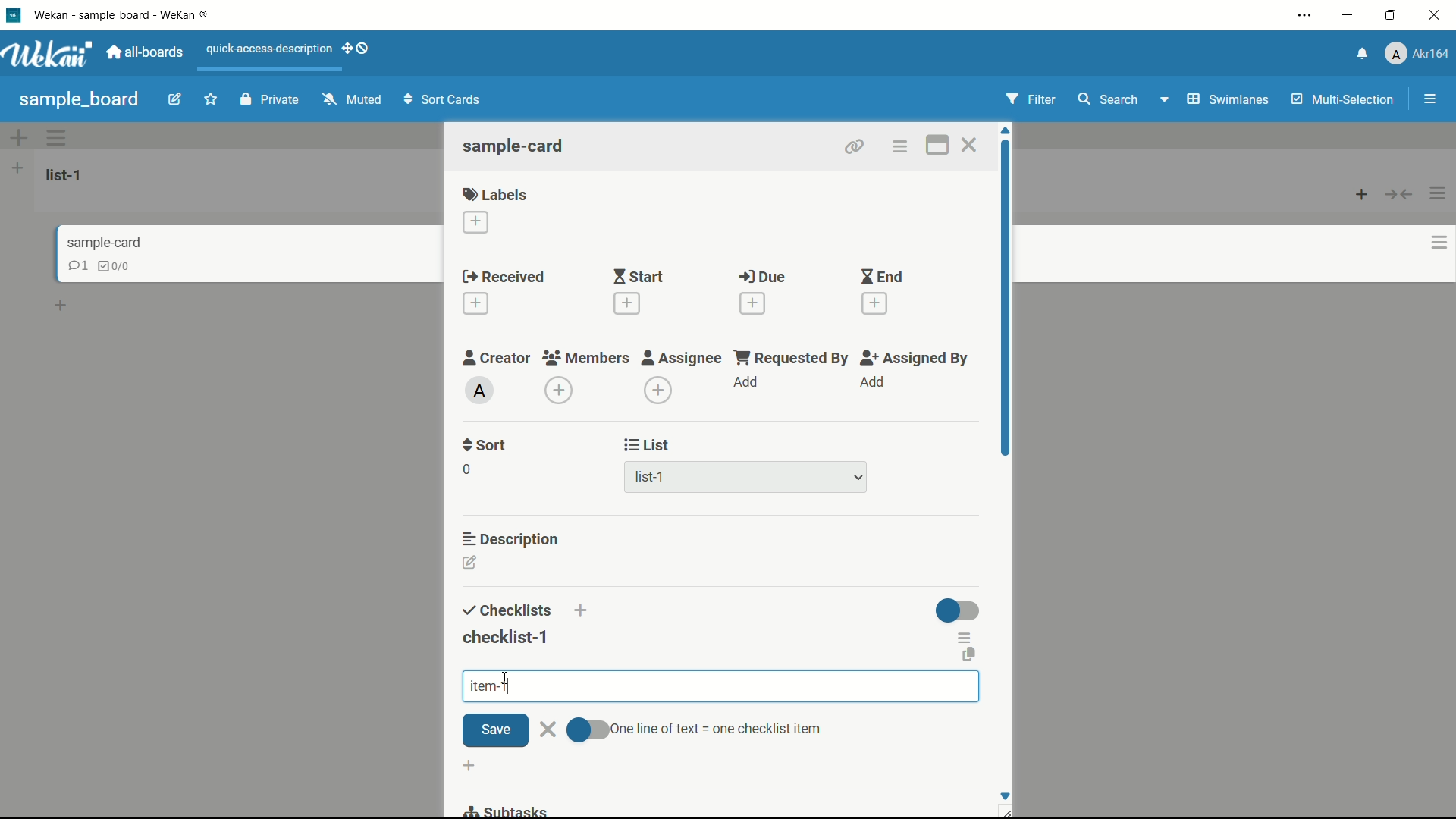 This screenshot has height=819, width=1456. Describe the element at coordinates (1441, 190) in the screenshot. I see `options` at that location.